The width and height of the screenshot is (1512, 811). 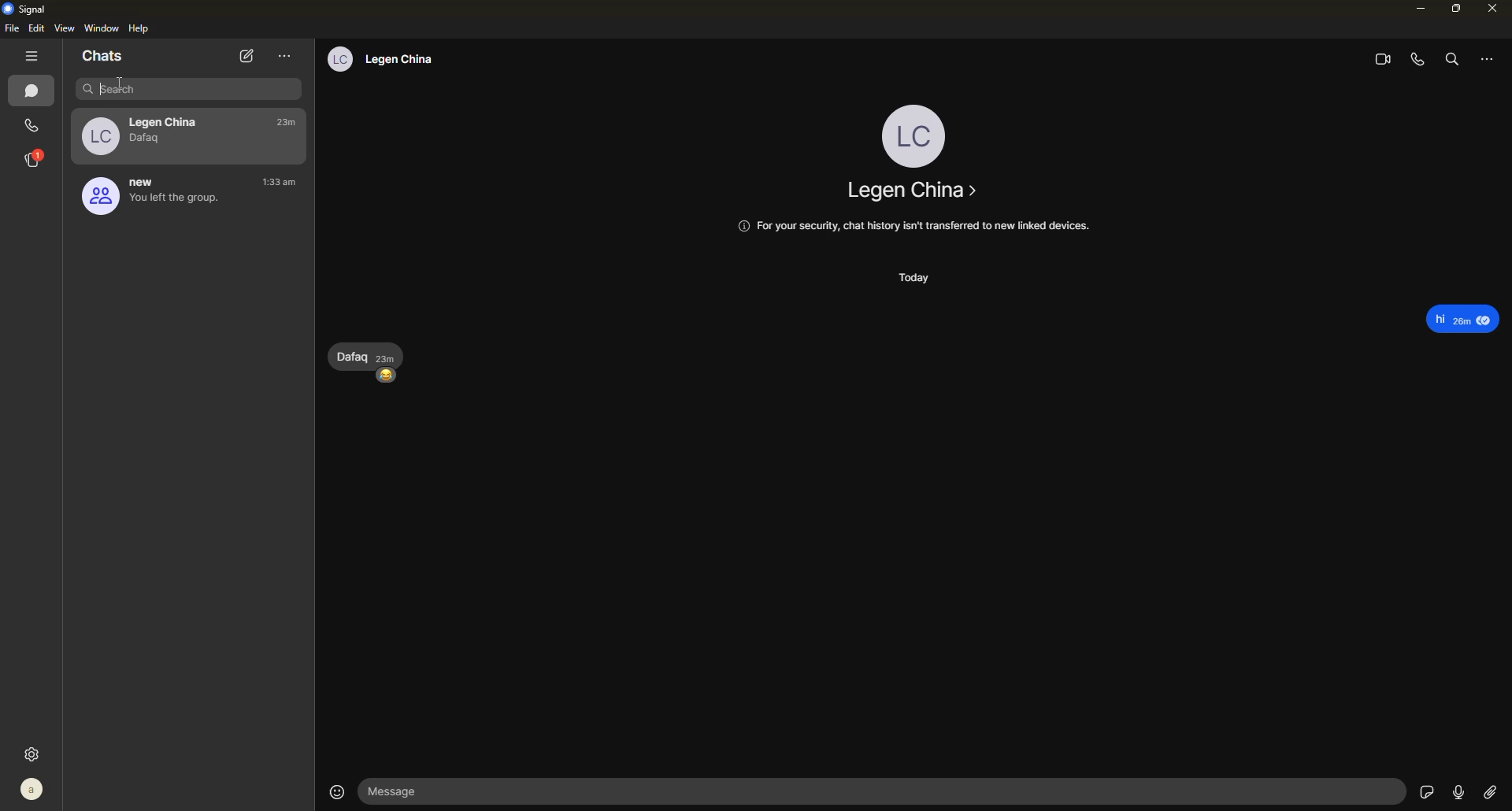 I want to click on cursor, so click(x=98, y=91).